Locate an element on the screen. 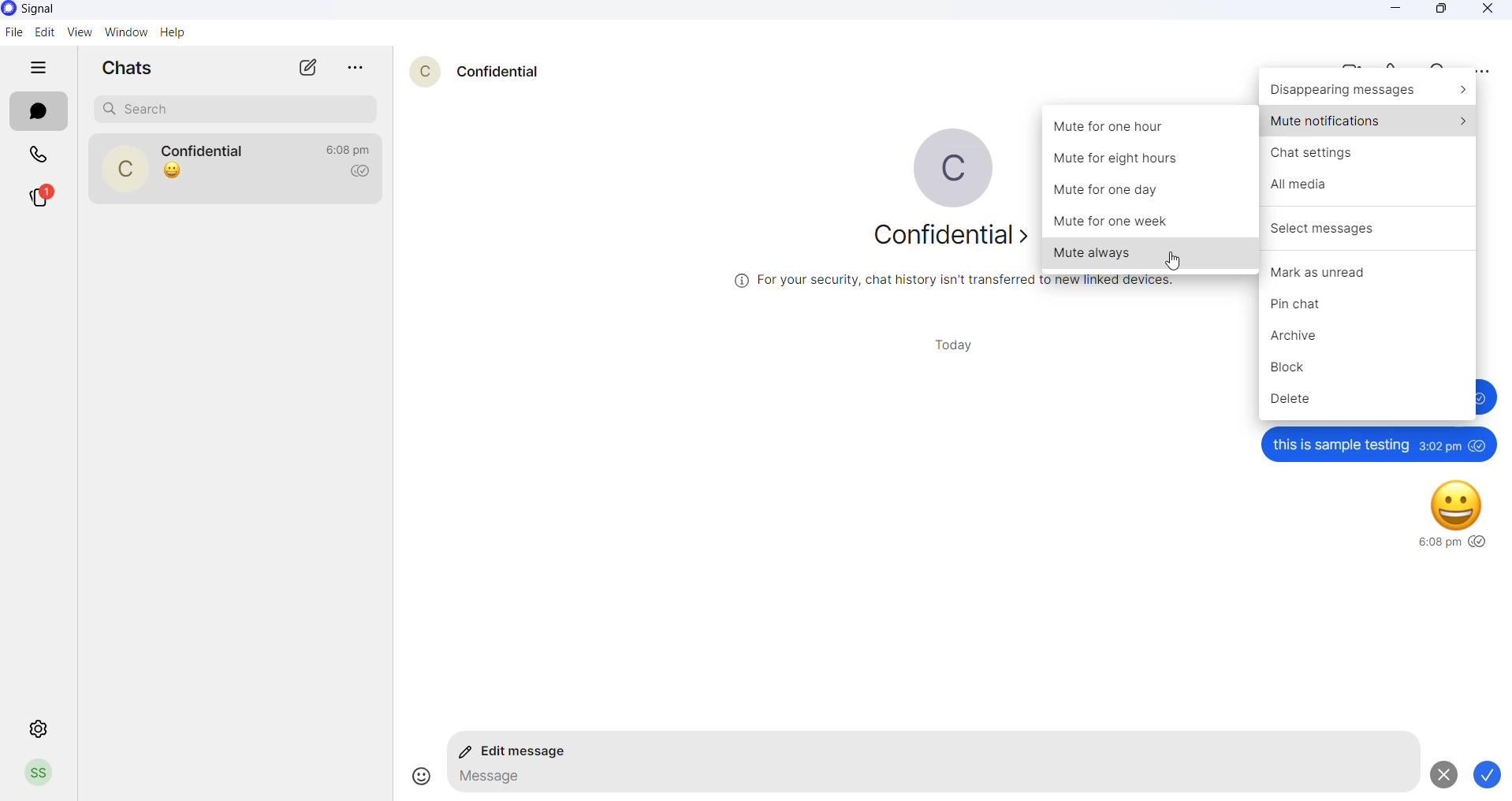 This screenshot has height=801, width=1512. chat settings is located at coordinates (1369, 152).